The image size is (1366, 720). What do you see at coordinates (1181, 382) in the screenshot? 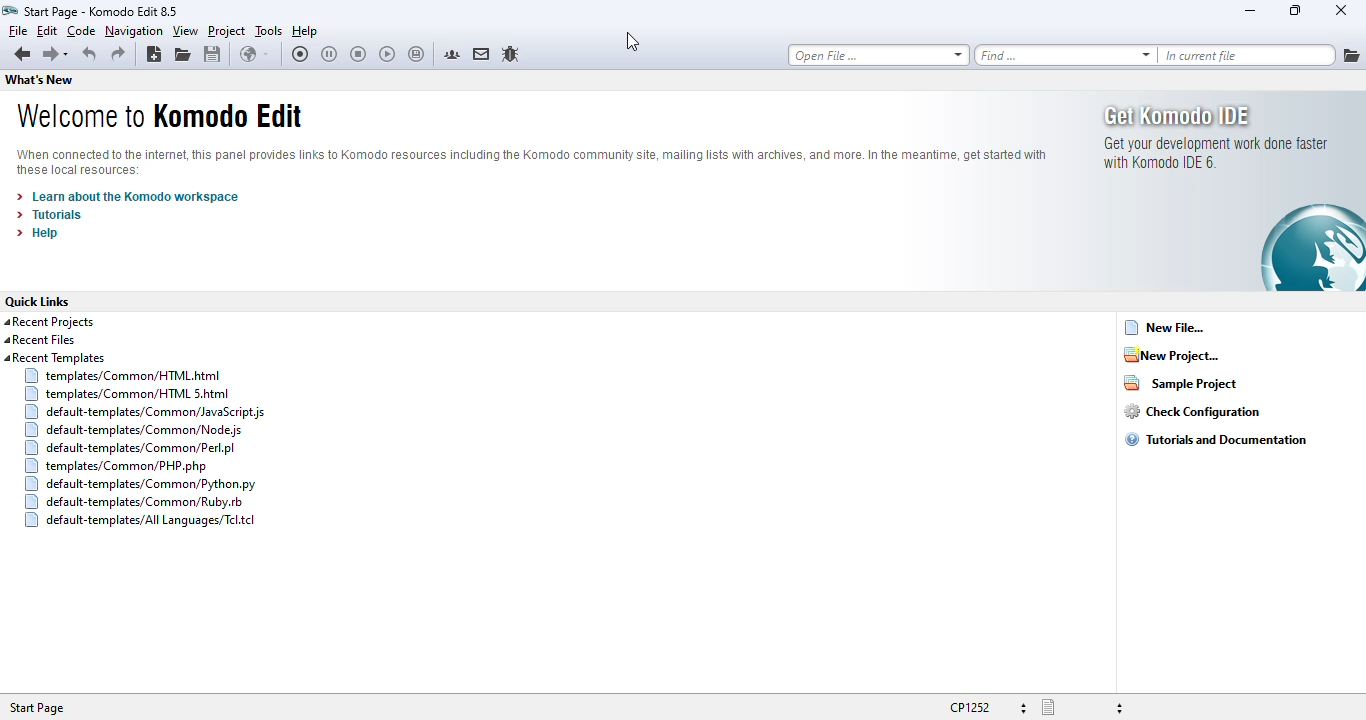
I see `sample project` at bounding box center [1181, 382].